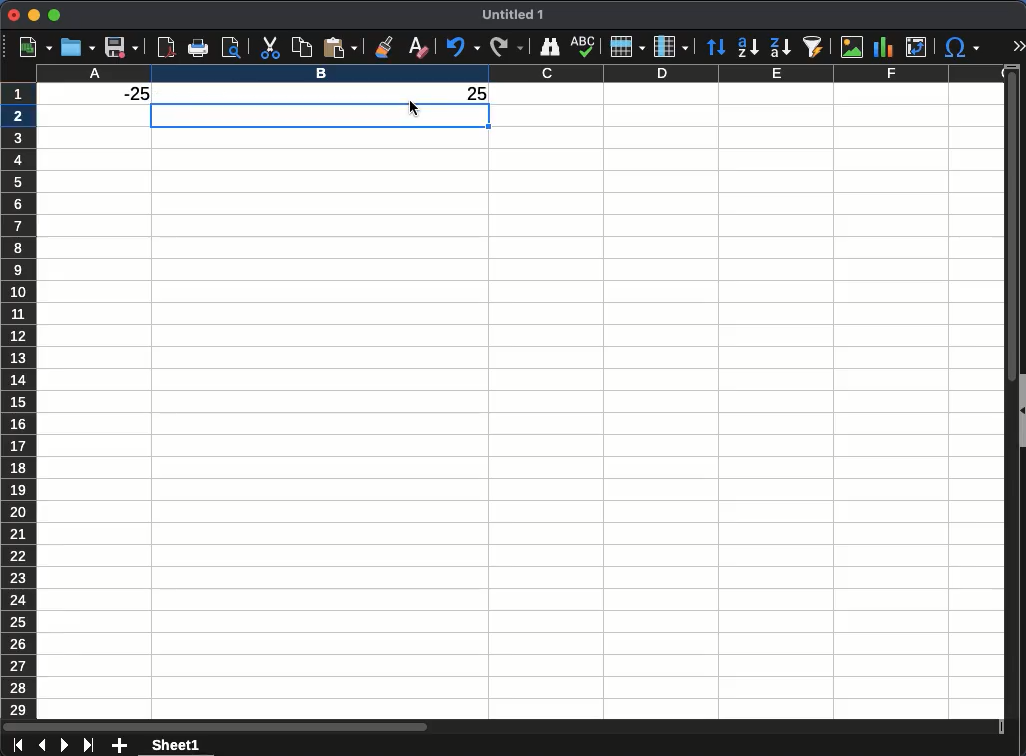 This screenshot has height=756, width=1026. What do you see at coordinates (199, 48) in the screenshot?
I see `print` at bounding box center [199, 48].